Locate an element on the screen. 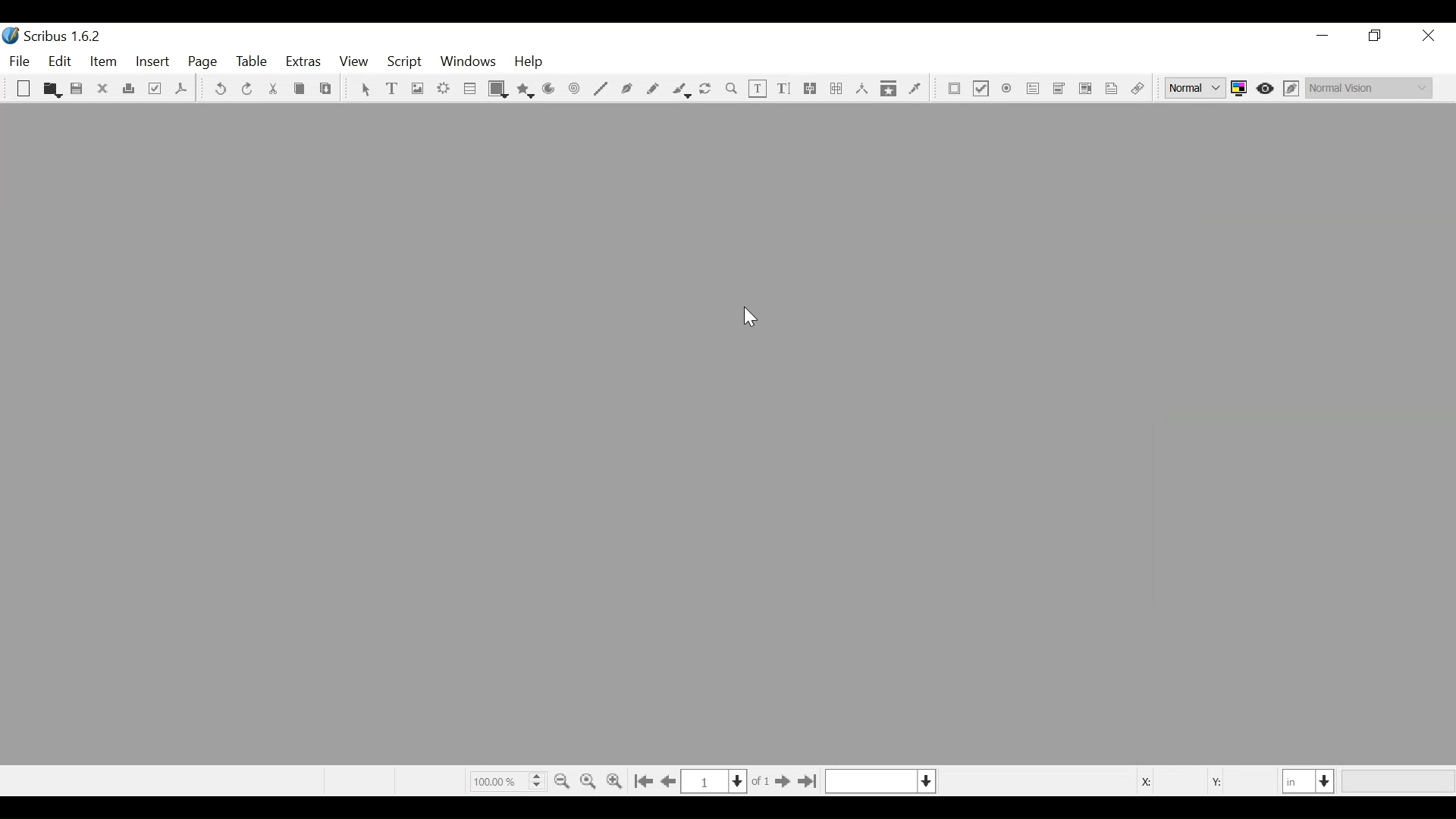  Image Frame is located at coordinates (416, 89).